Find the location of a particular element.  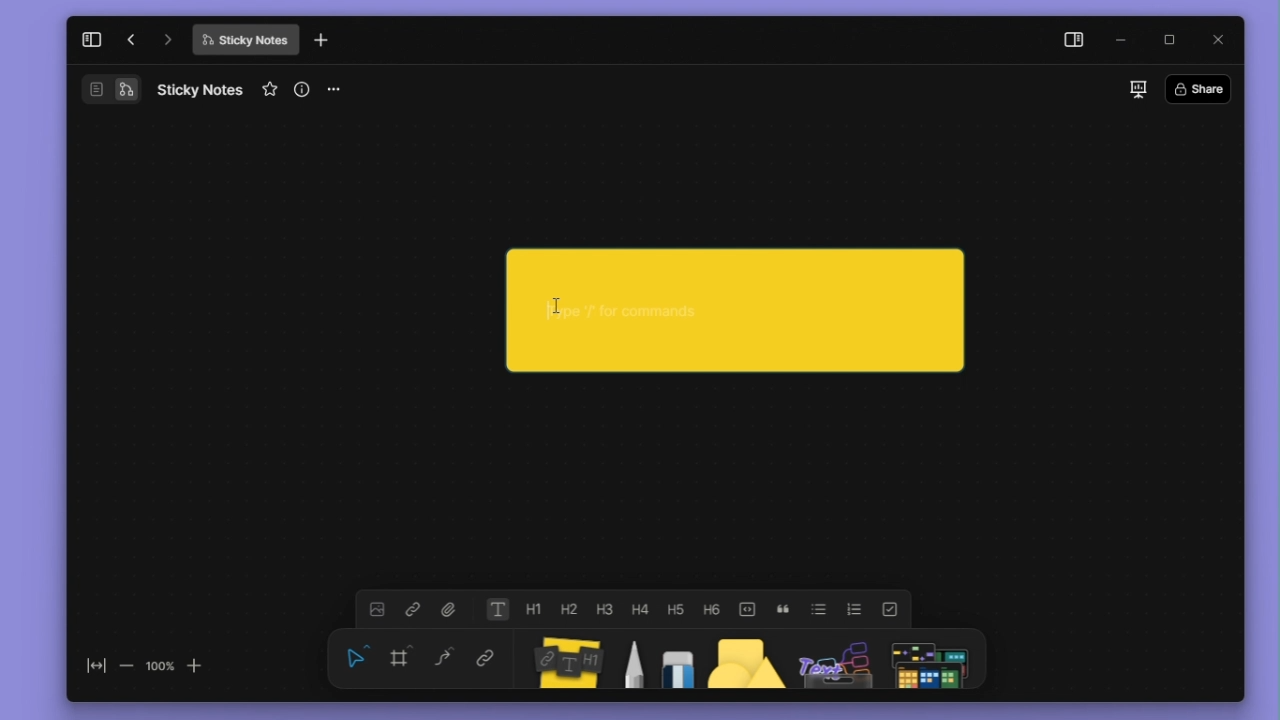

Sticky Notes is located at coordinates (204, 89).